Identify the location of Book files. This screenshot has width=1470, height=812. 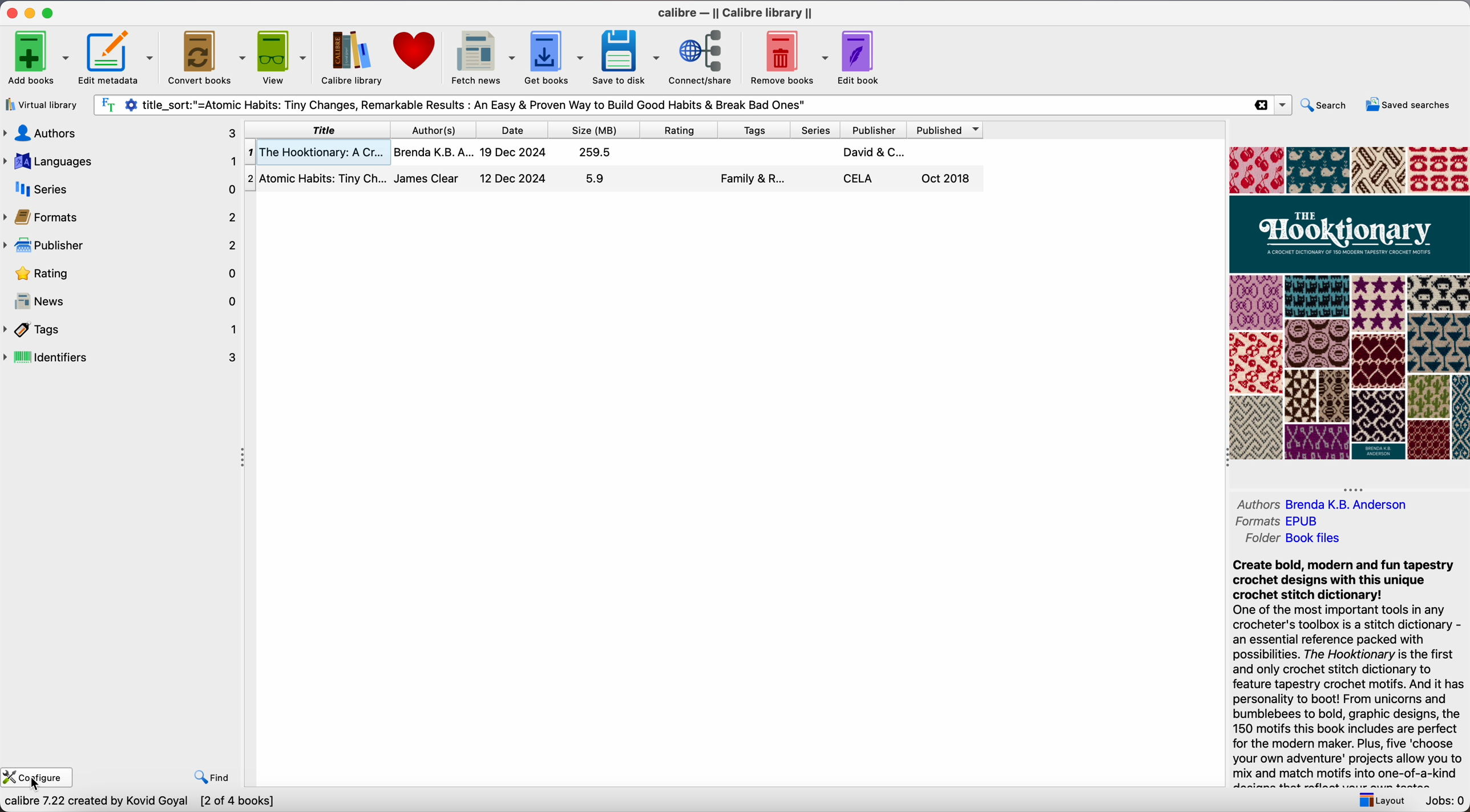
(1314, 539).